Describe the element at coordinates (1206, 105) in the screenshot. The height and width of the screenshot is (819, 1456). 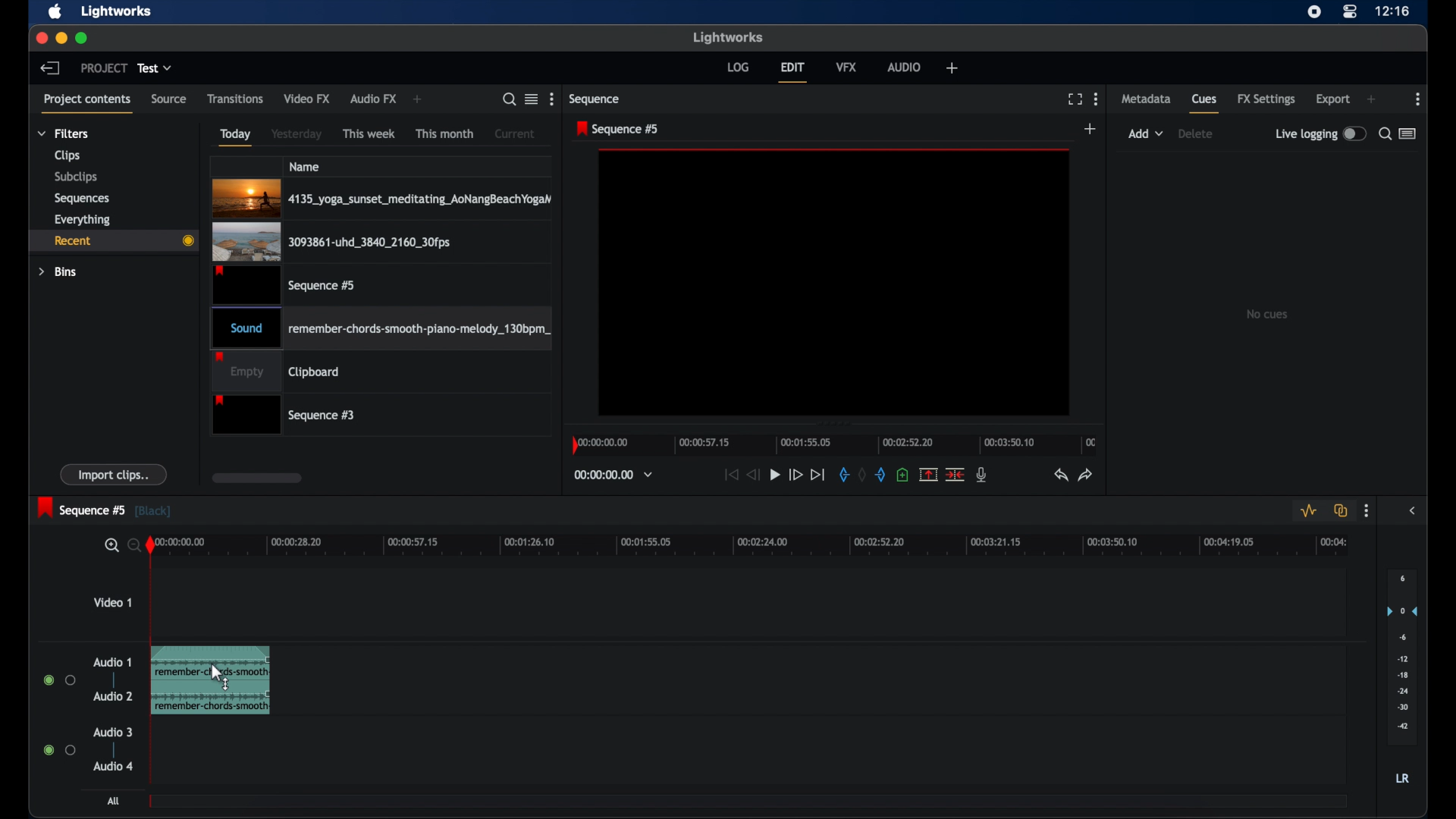
I see `cues` at that location.